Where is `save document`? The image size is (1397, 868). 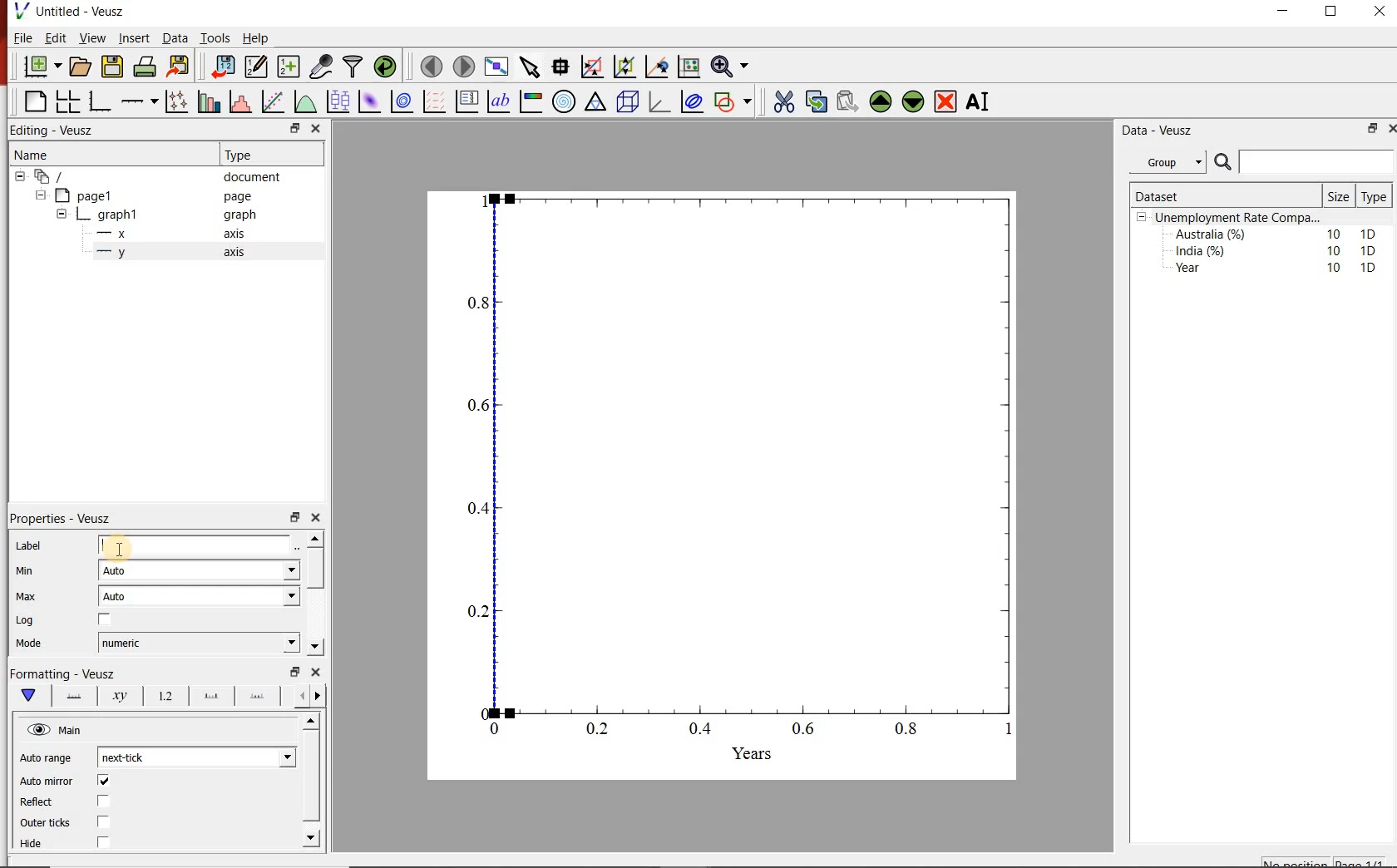
save document is located at coordinates (112, 66).